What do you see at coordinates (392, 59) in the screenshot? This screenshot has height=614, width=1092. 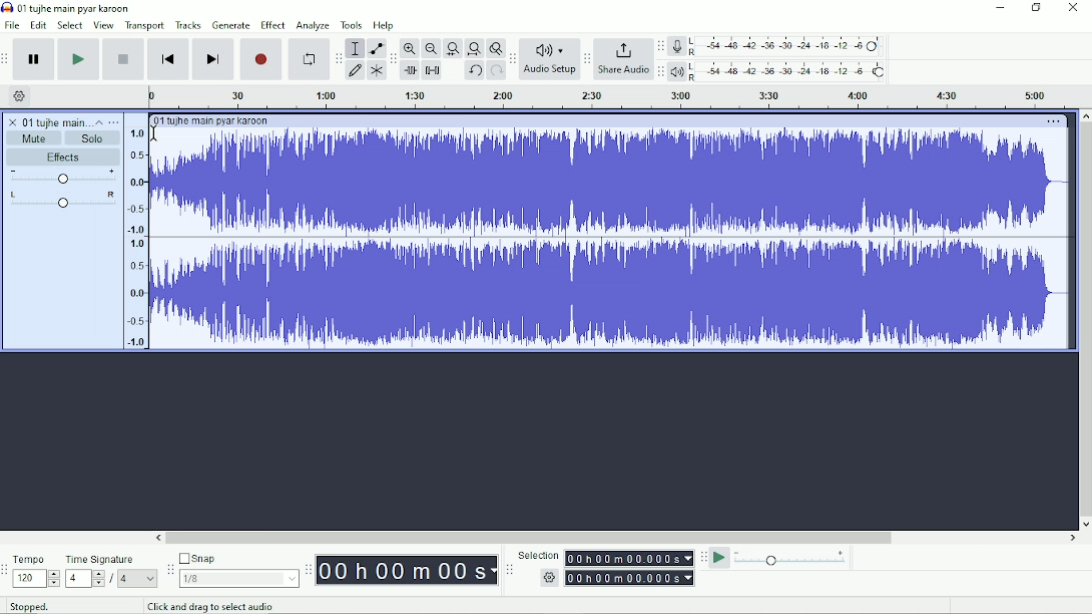 I see `Audacity edit toolbar` at bounding box center [392, 59].